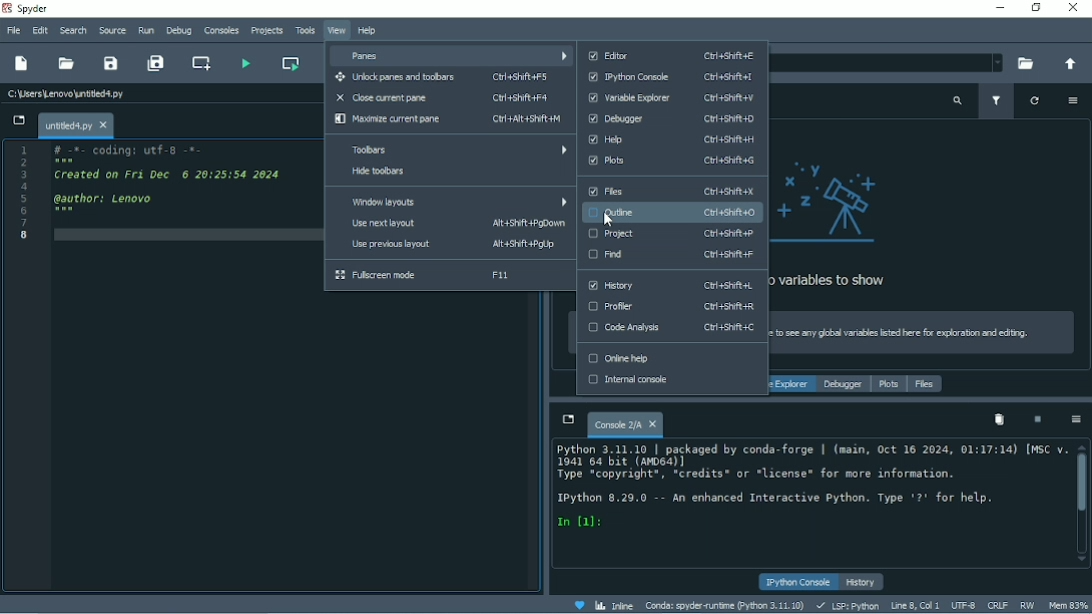 Image resolution: width=1092 pixels, height=614 pixels. I want to click on Save all files, so click(159, 63).